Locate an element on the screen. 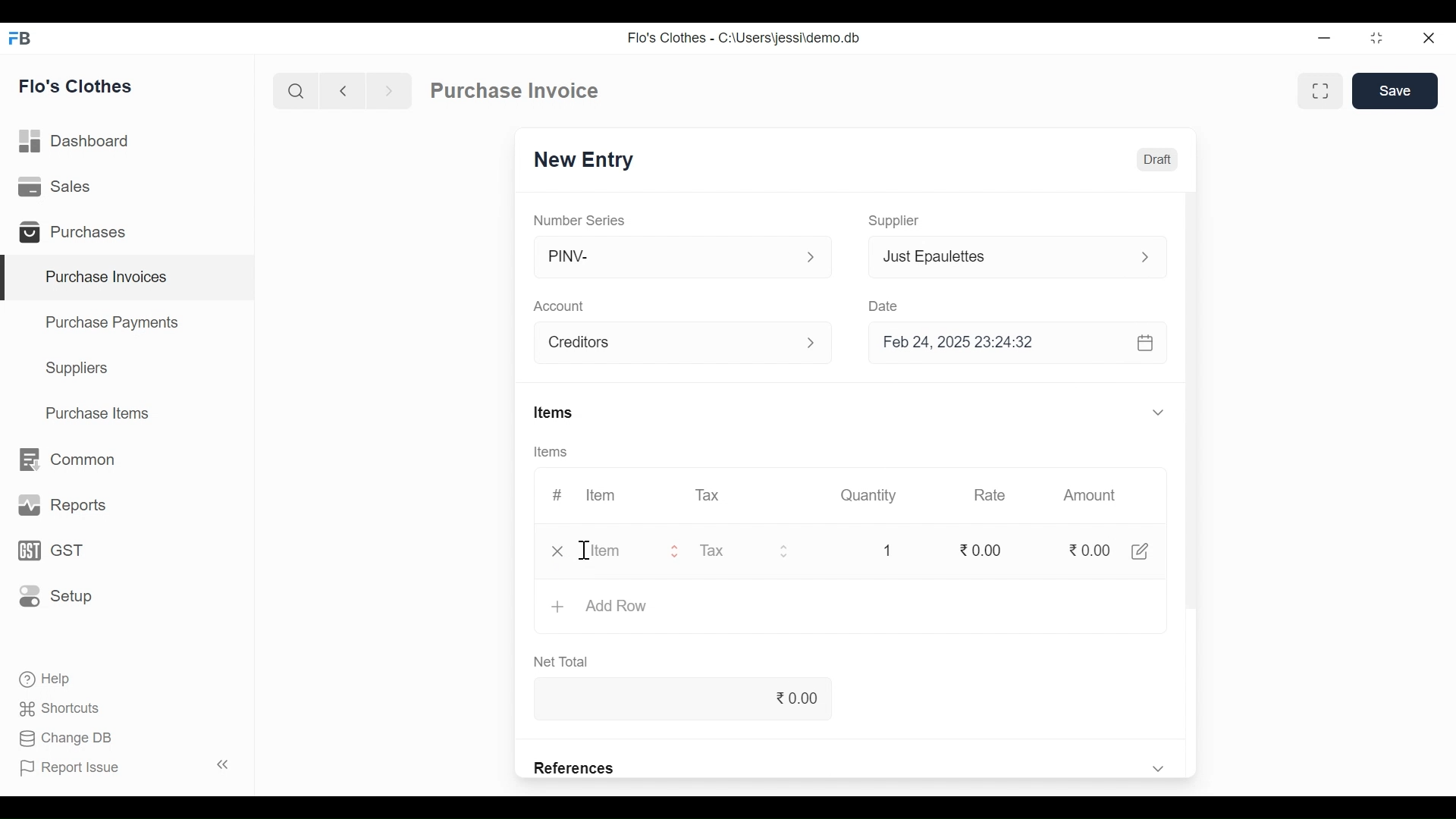 This screenshot has width=1456, height=819. Supplier is located at coordinates (897, 221).